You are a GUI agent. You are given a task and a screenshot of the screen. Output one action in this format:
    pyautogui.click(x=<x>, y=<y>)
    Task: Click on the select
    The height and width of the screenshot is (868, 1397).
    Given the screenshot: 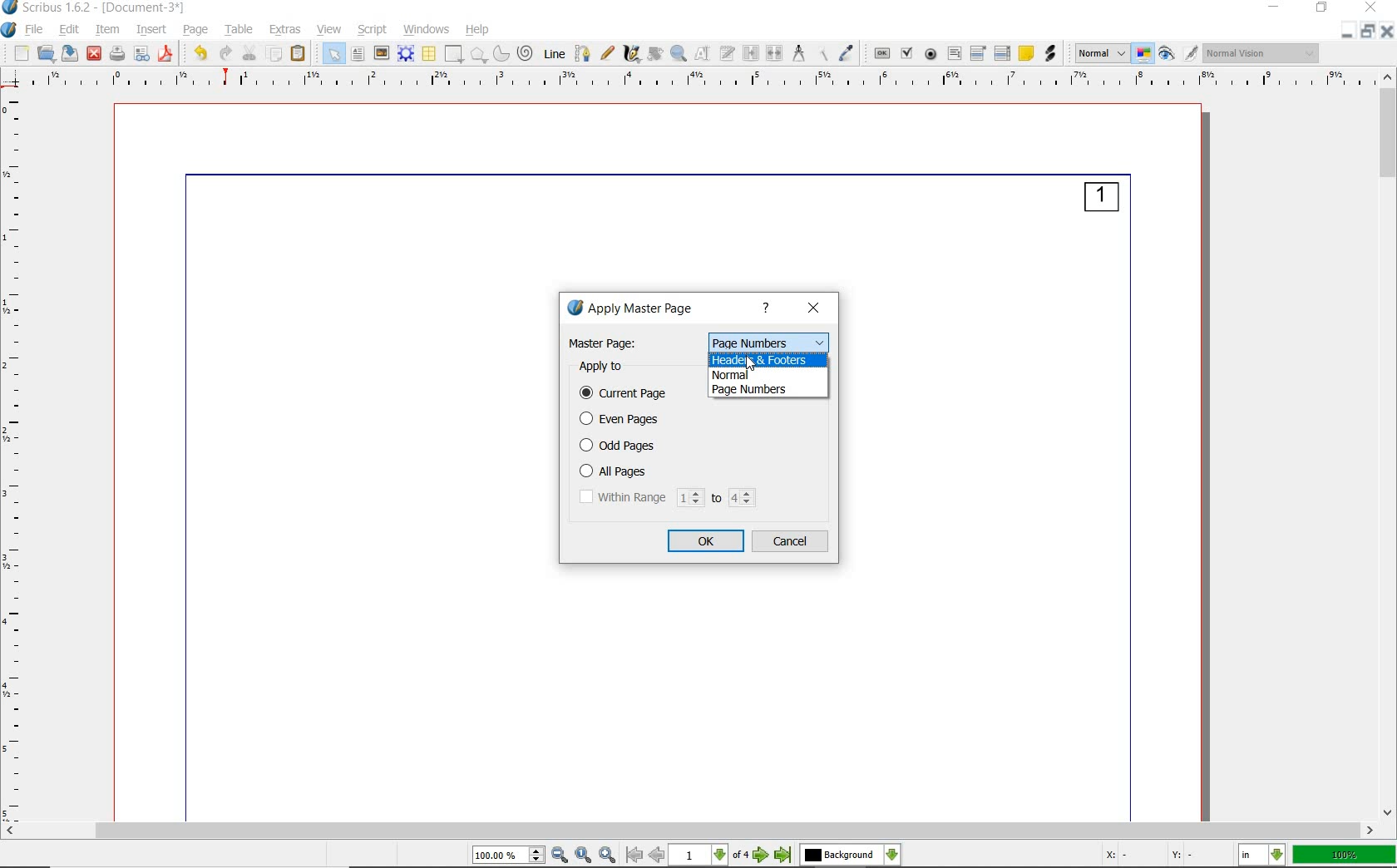 What is the action you would take?
    pyautogui.click(x=336, y=53)
    